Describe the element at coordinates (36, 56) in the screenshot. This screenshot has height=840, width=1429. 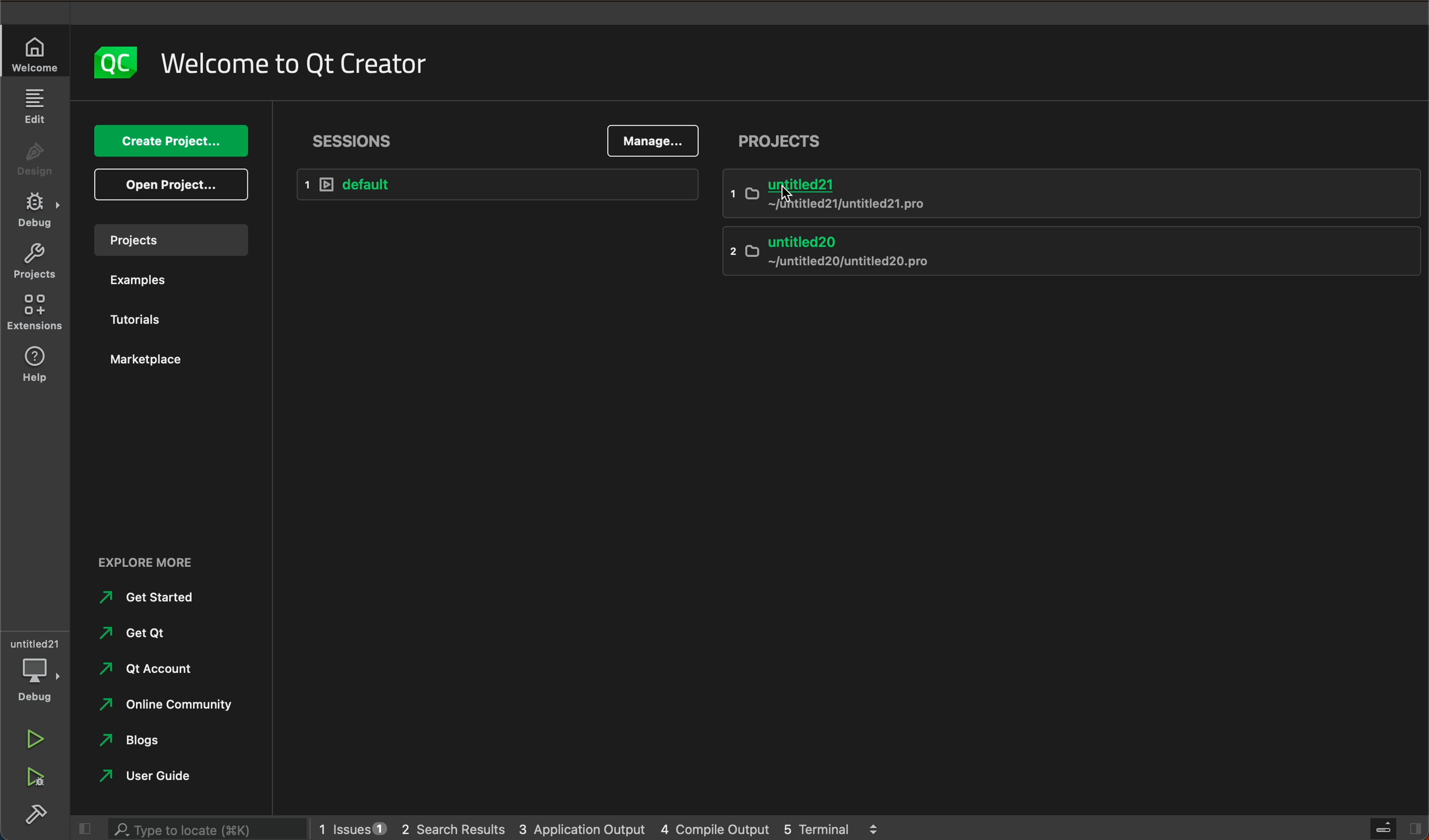
I see `welcome` at that location.